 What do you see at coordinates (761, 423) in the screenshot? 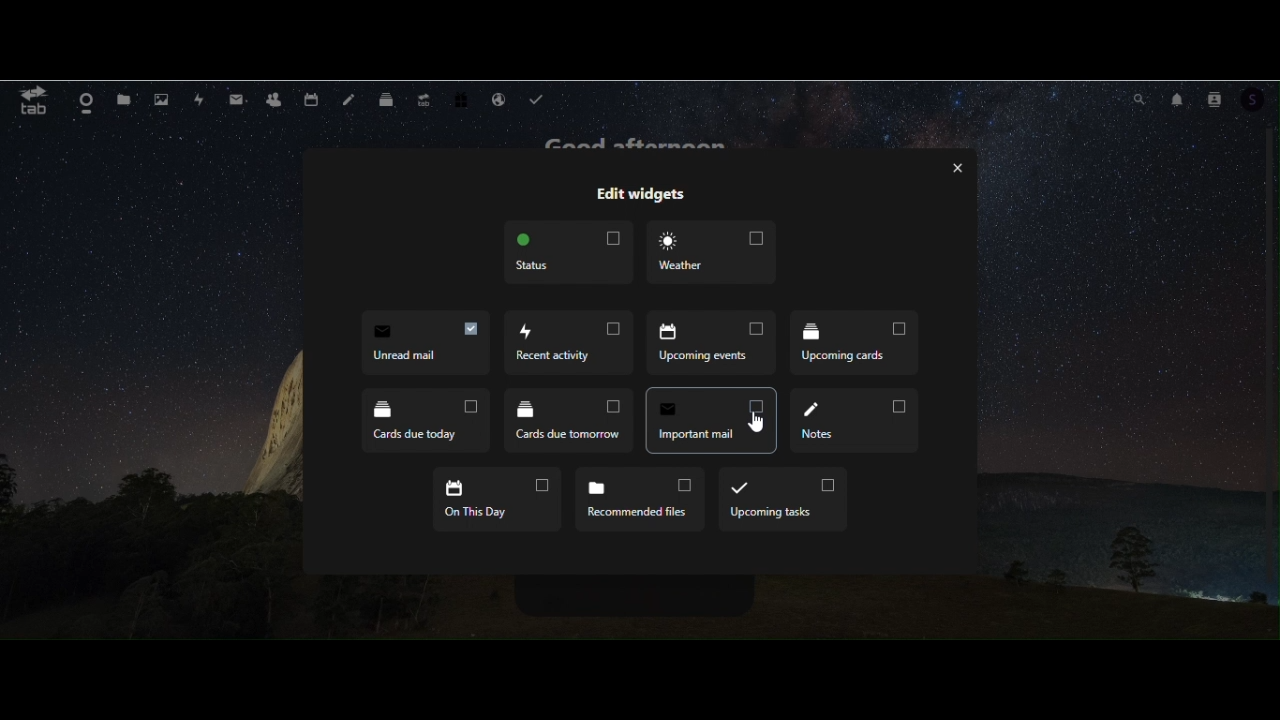
I see `Cursor` at bounding box center [761, 423].